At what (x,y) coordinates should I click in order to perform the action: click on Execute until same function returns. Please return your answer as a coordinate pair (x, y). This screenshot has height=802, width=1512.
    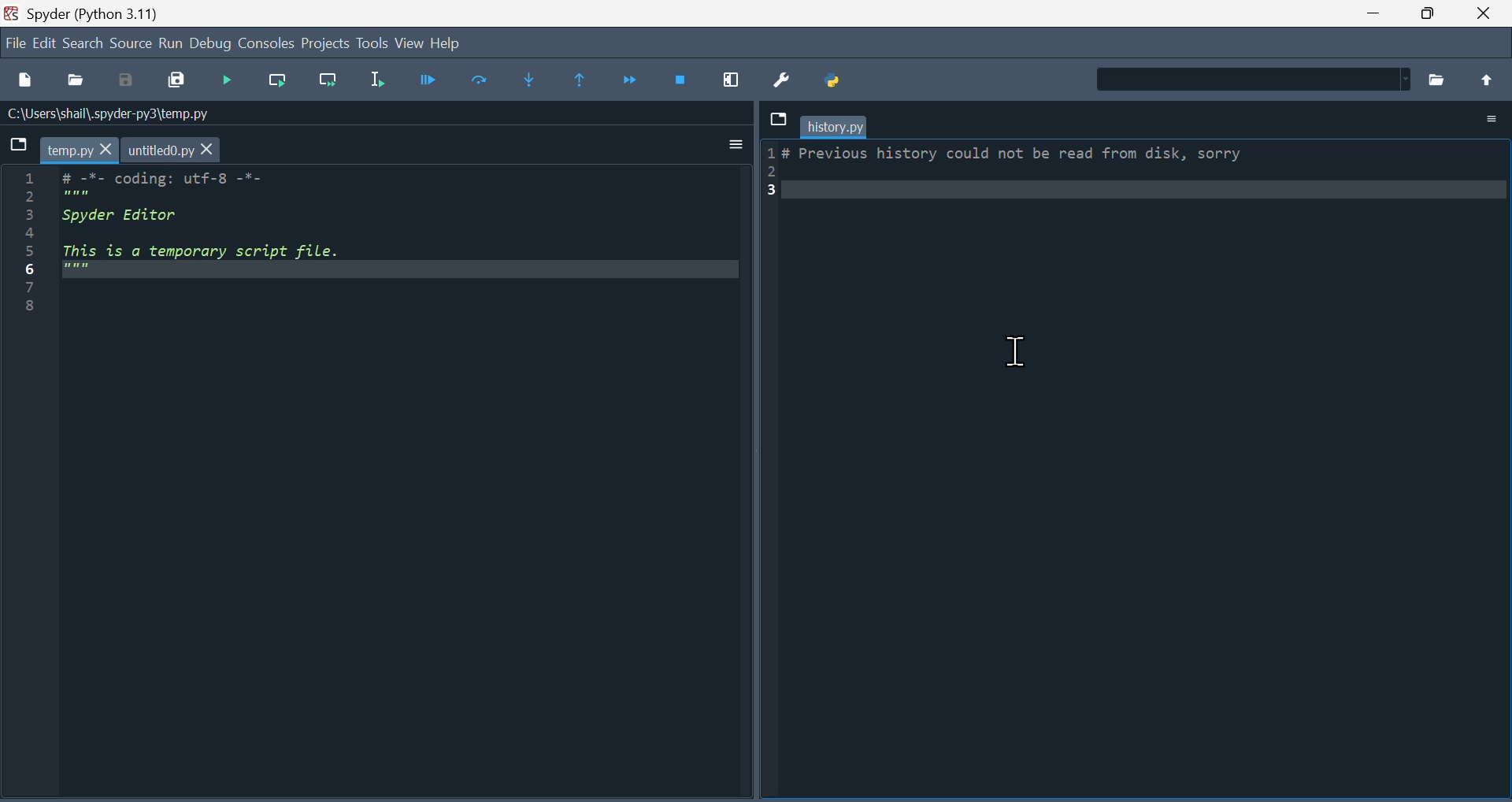
    Looking at the image, I should click on (580, 78).